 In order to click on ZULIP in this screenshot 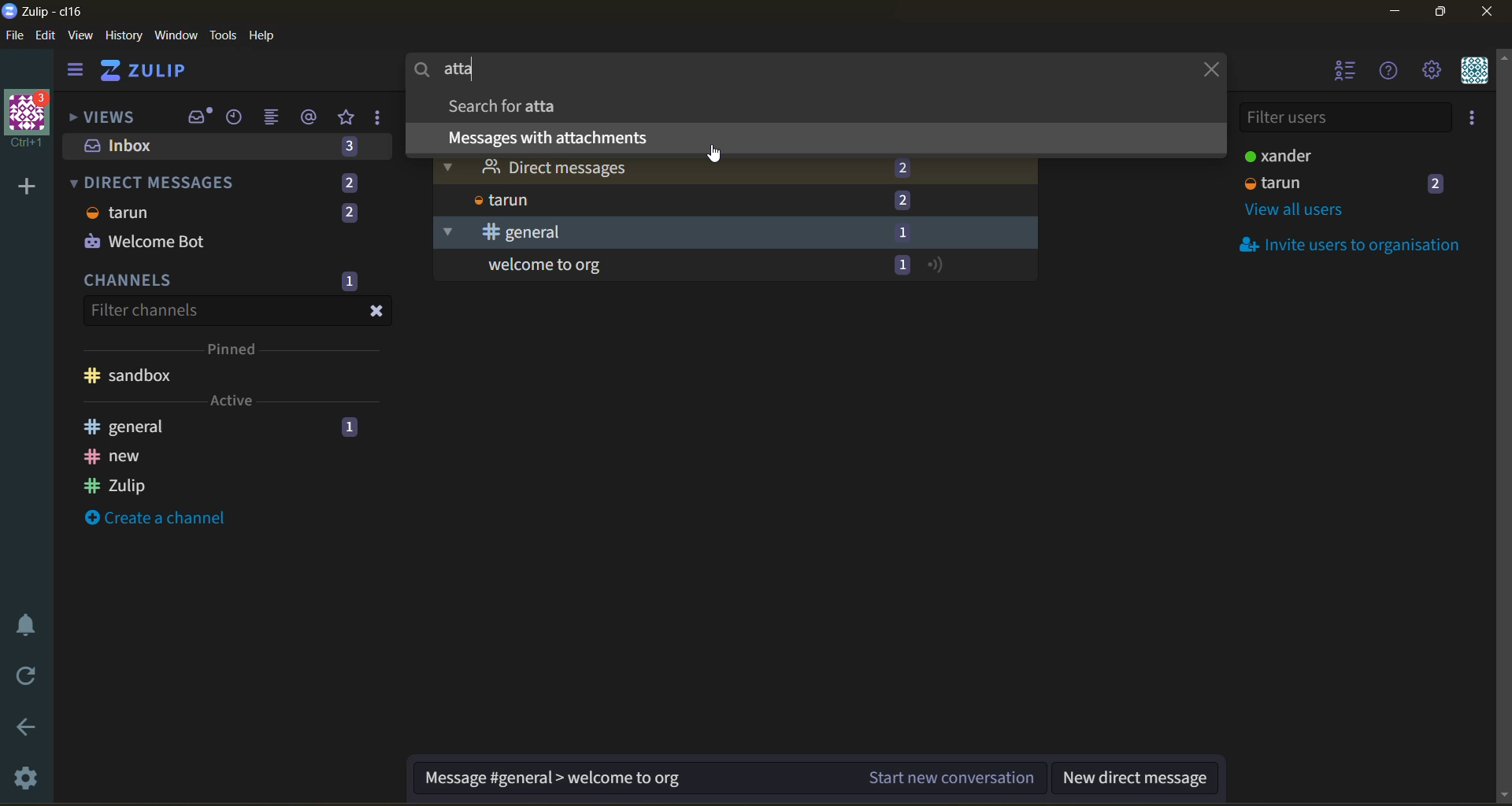, I will do `click(146, 70)`.